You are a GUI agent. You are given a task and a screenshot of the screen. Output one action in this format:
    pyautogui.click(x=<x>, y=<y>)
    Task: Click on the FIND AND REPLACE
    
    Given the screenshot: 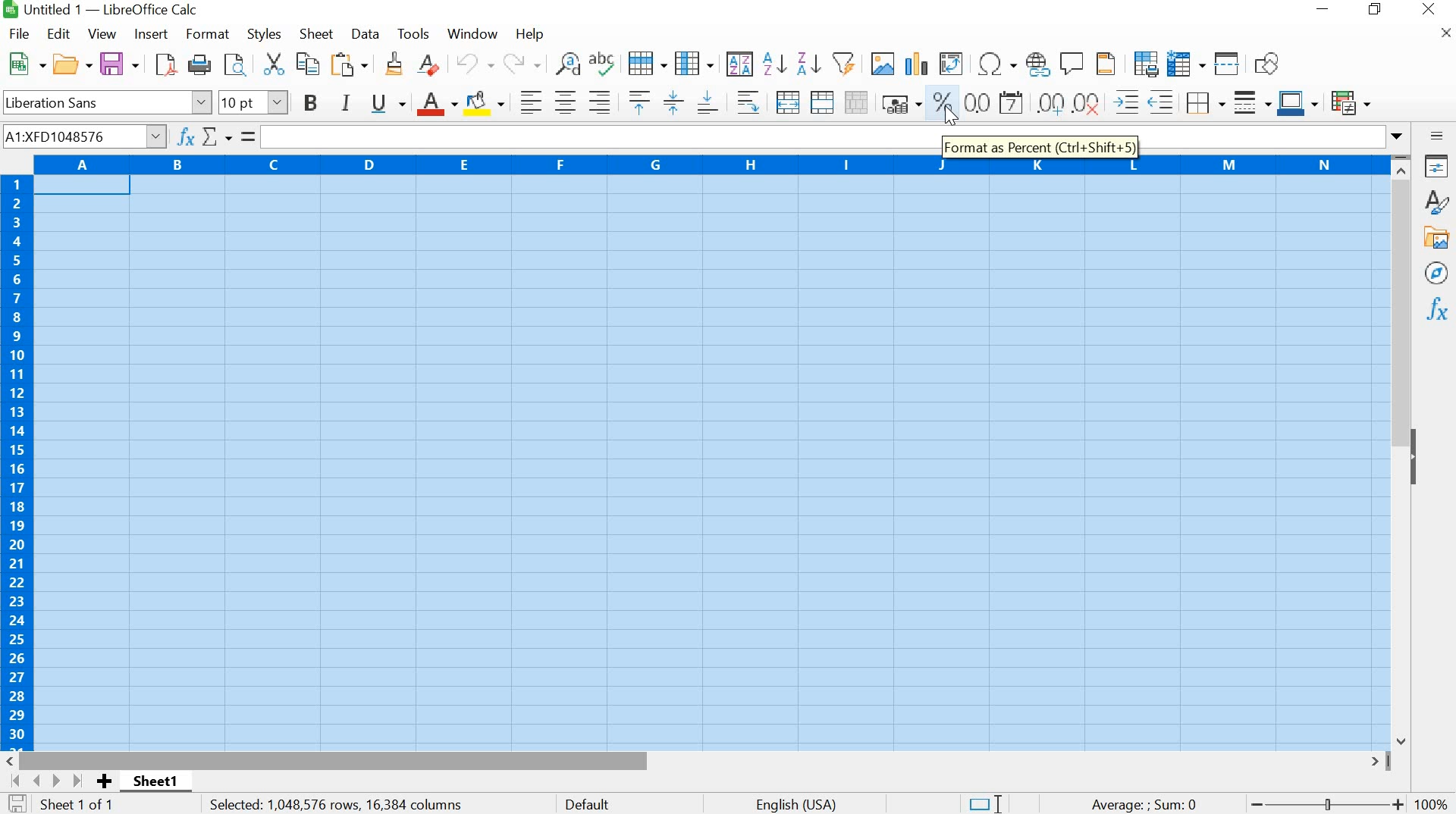 What is the action you would take?
    pyautogui.click(x=235, y=65)
    